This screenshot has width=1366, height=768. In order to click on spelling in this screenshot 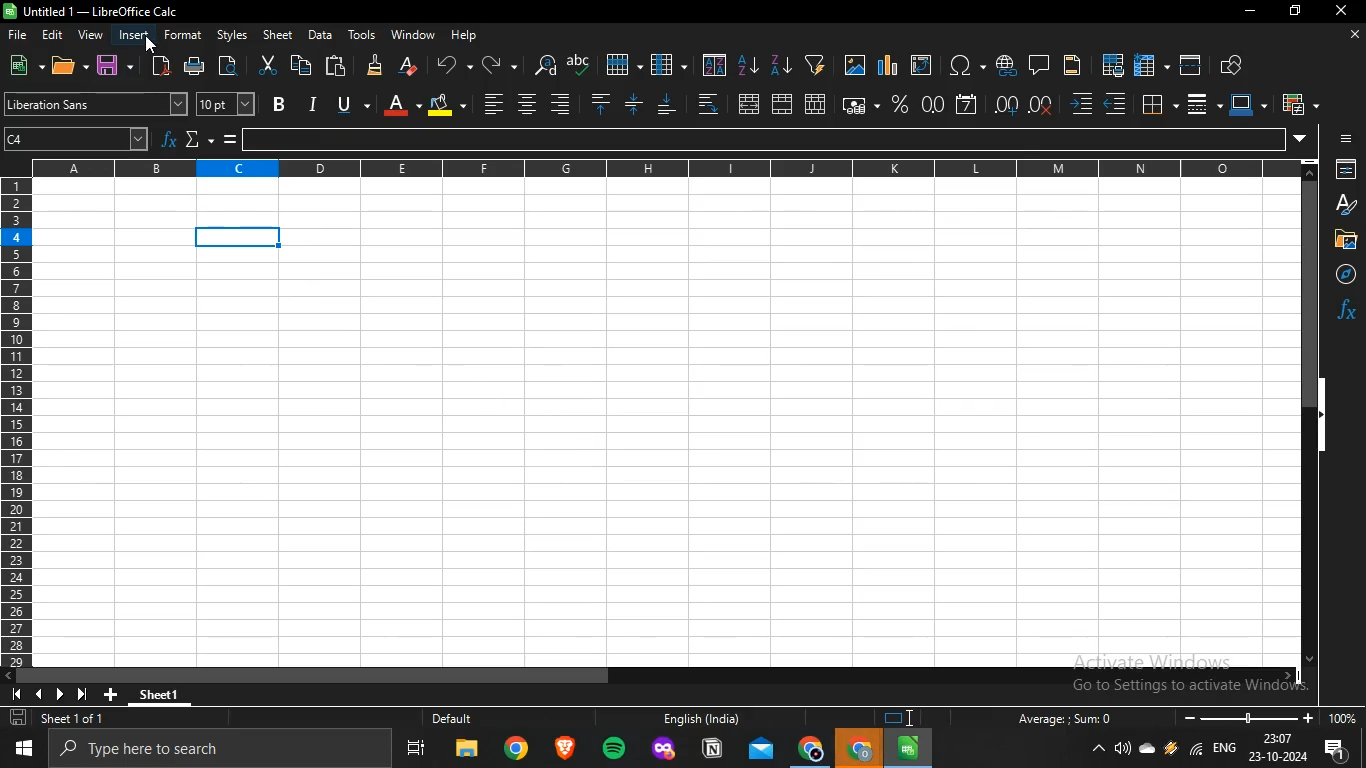, I will do `click(579, 64)`.